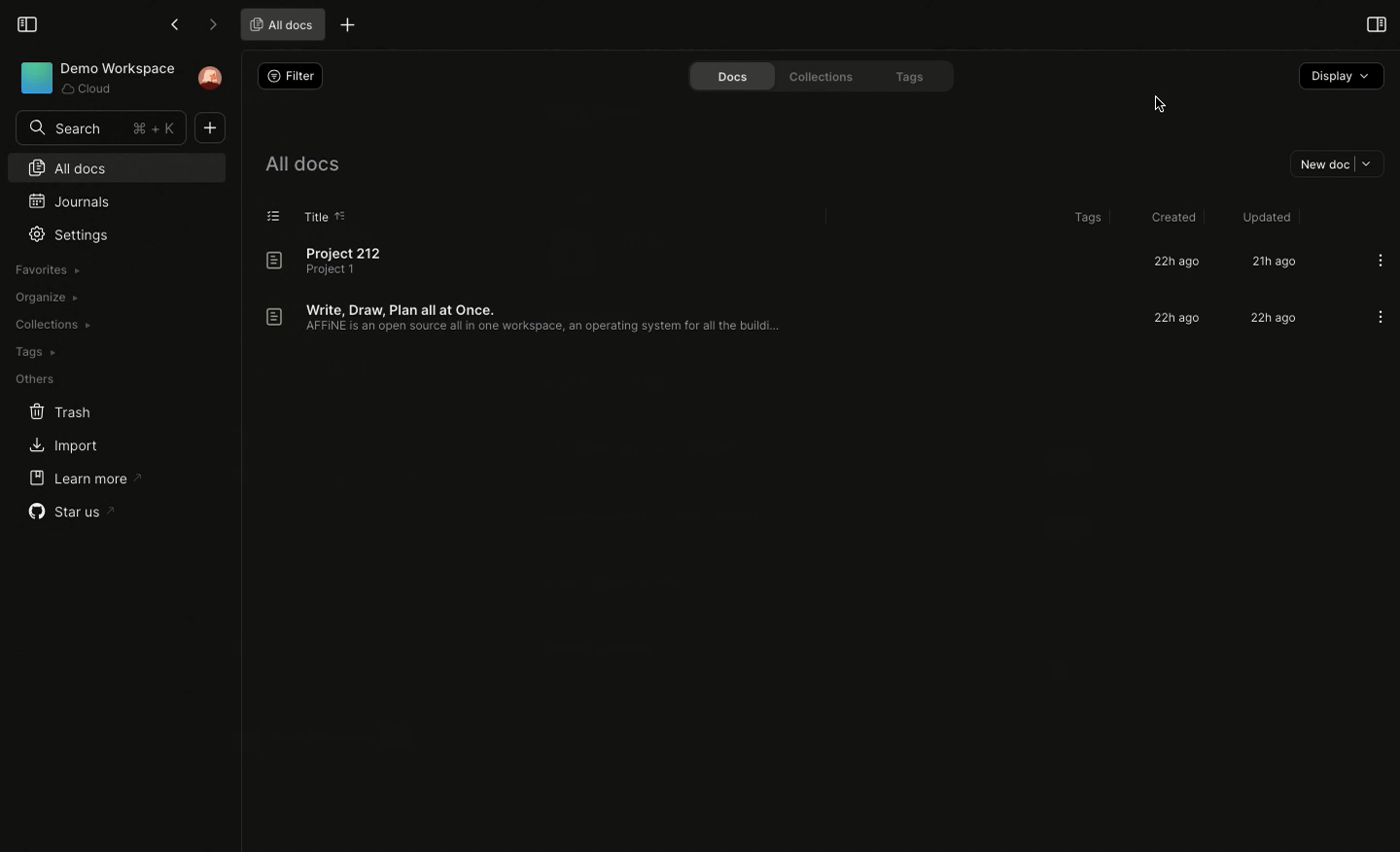  Describe the element at coordinates (211, 78) in the screenshot. I see `User` at that location.